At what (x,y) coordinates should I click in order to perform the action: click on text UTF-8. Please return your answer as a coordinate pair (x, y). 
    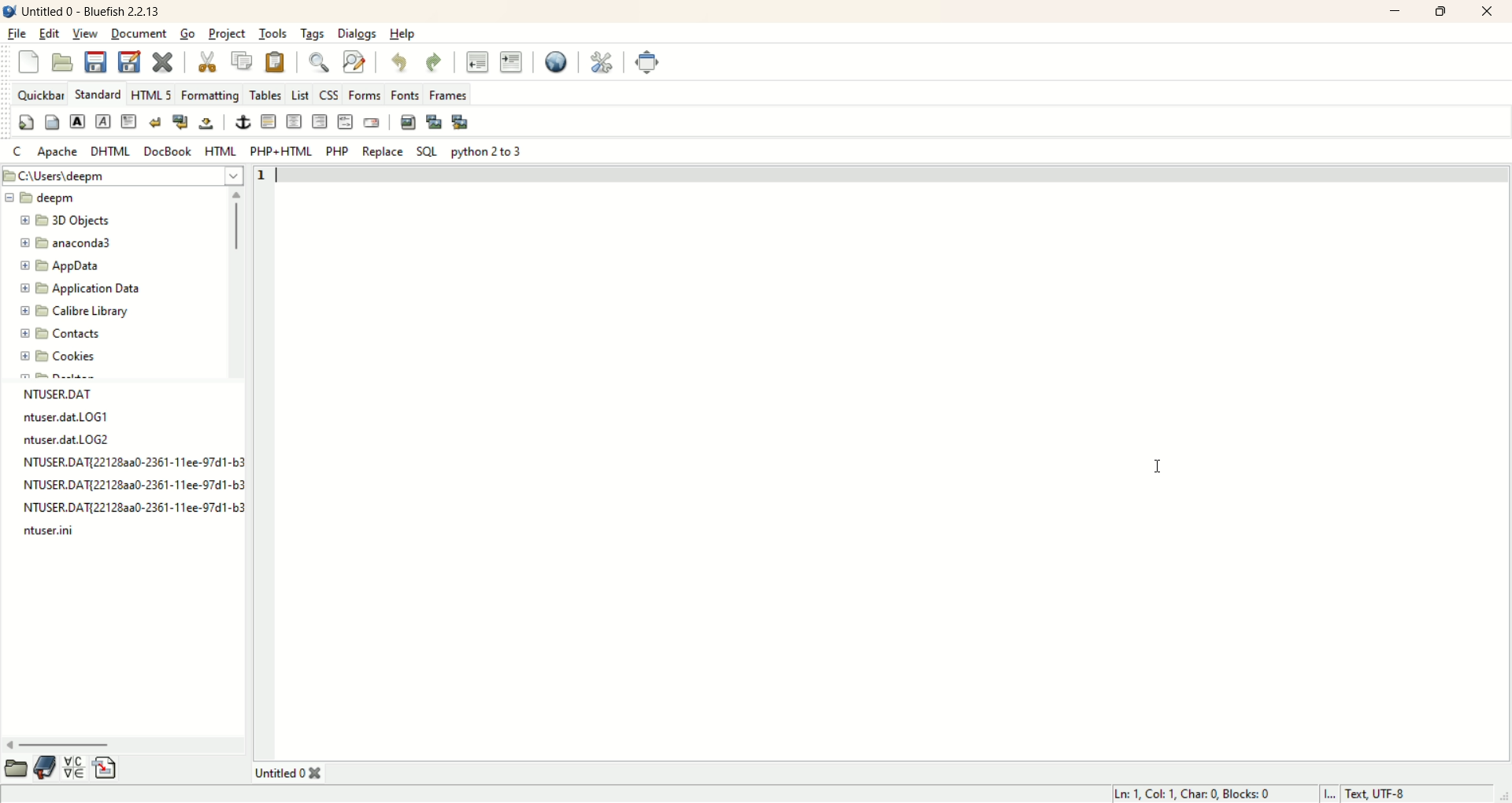
    Looking at the image, I should click on (1380, 793).